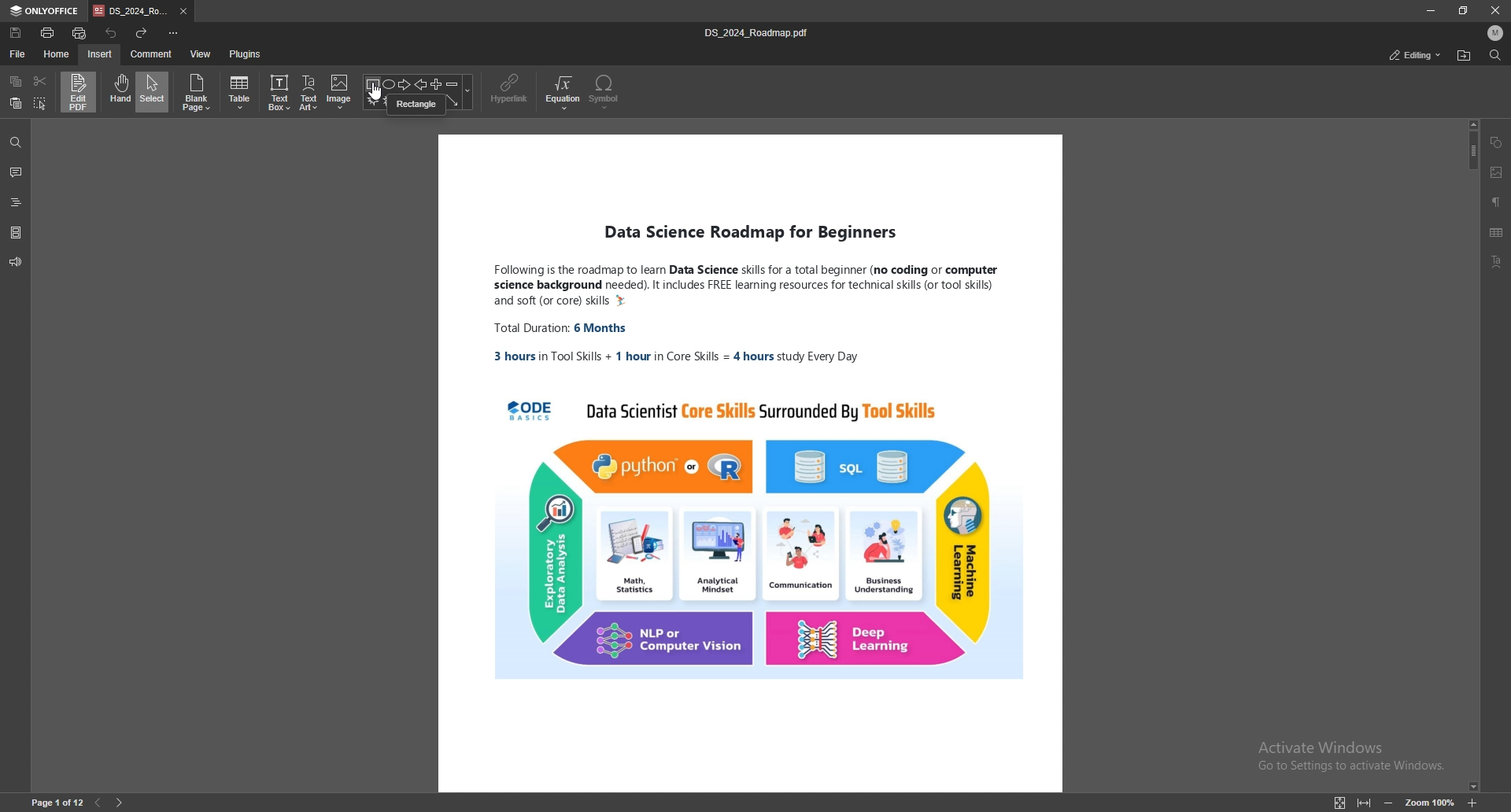  Describe the element at coordinates (15, 142) in the screenshot. I see `find` at that location.